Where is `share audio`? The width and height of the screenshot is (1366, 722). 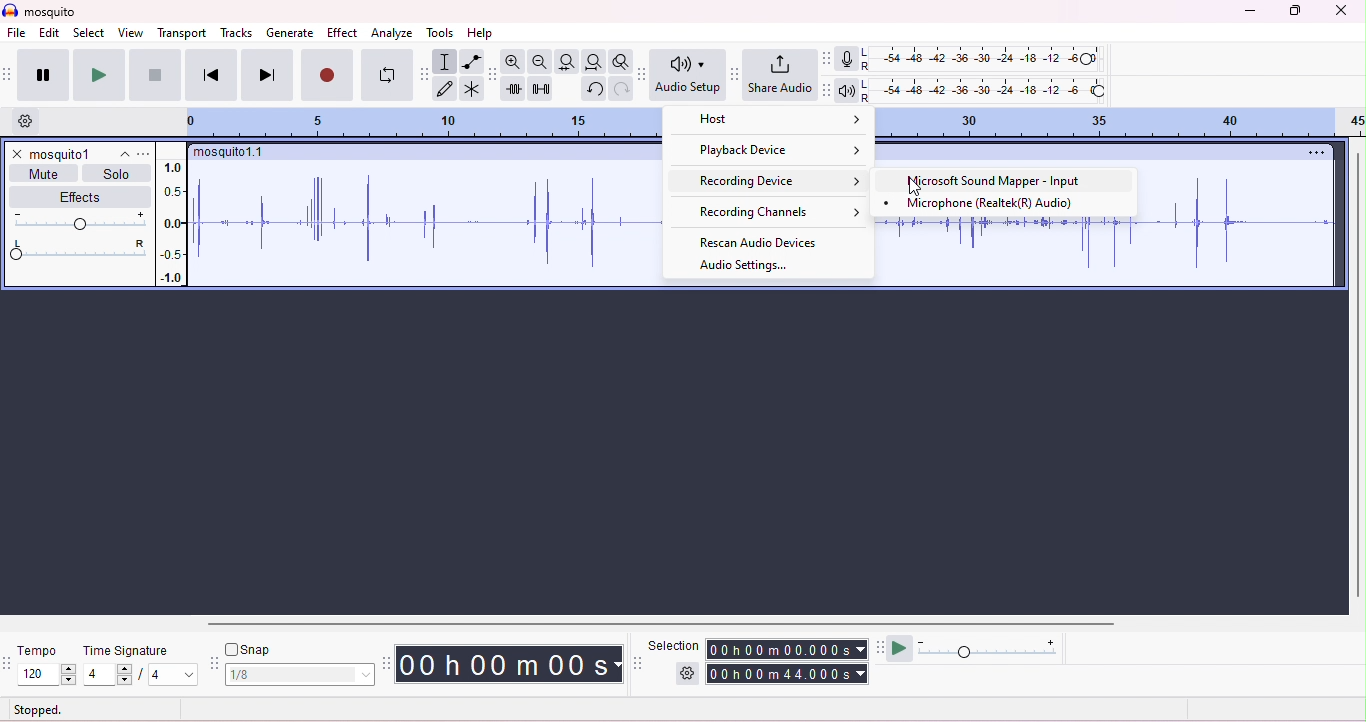
share audio is located at coordinates (779, 73).